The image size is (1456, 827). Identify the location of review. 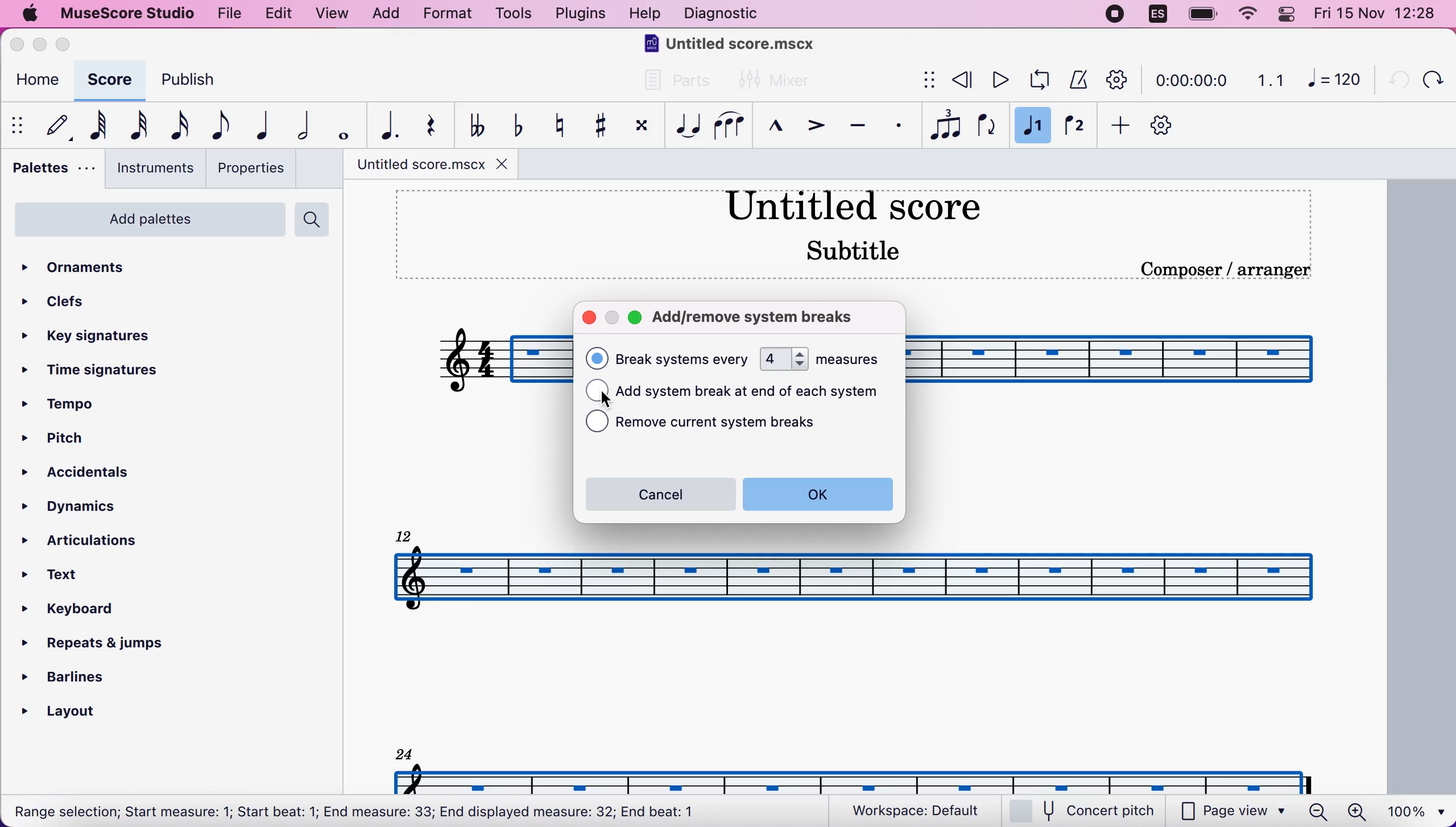
(963, 80).